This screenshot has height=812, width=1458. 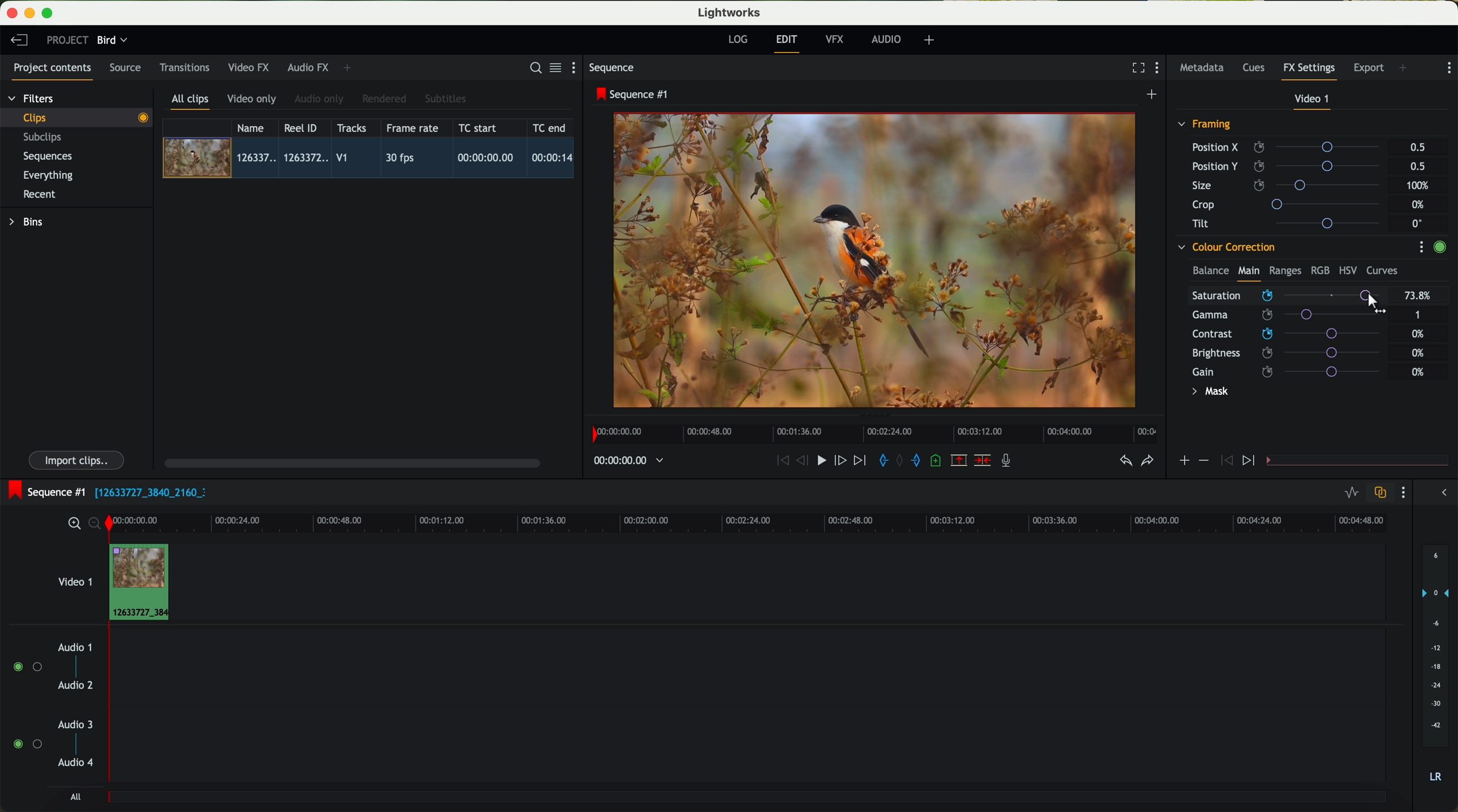 I want to click on import clips, so click(x=78, y=459).